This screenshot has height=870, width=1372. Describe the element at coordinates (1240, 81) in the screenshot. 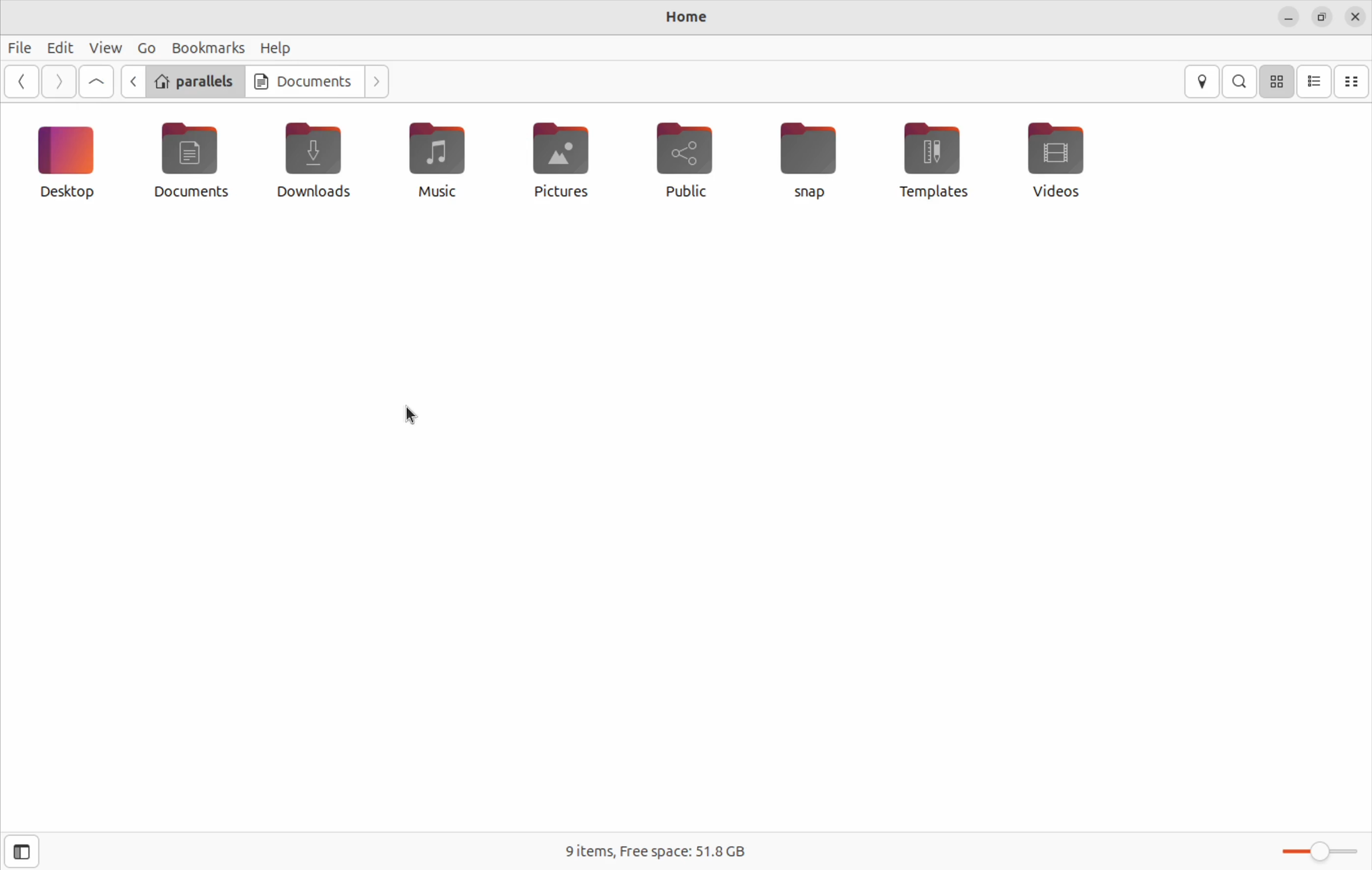

I see `search` at that location.